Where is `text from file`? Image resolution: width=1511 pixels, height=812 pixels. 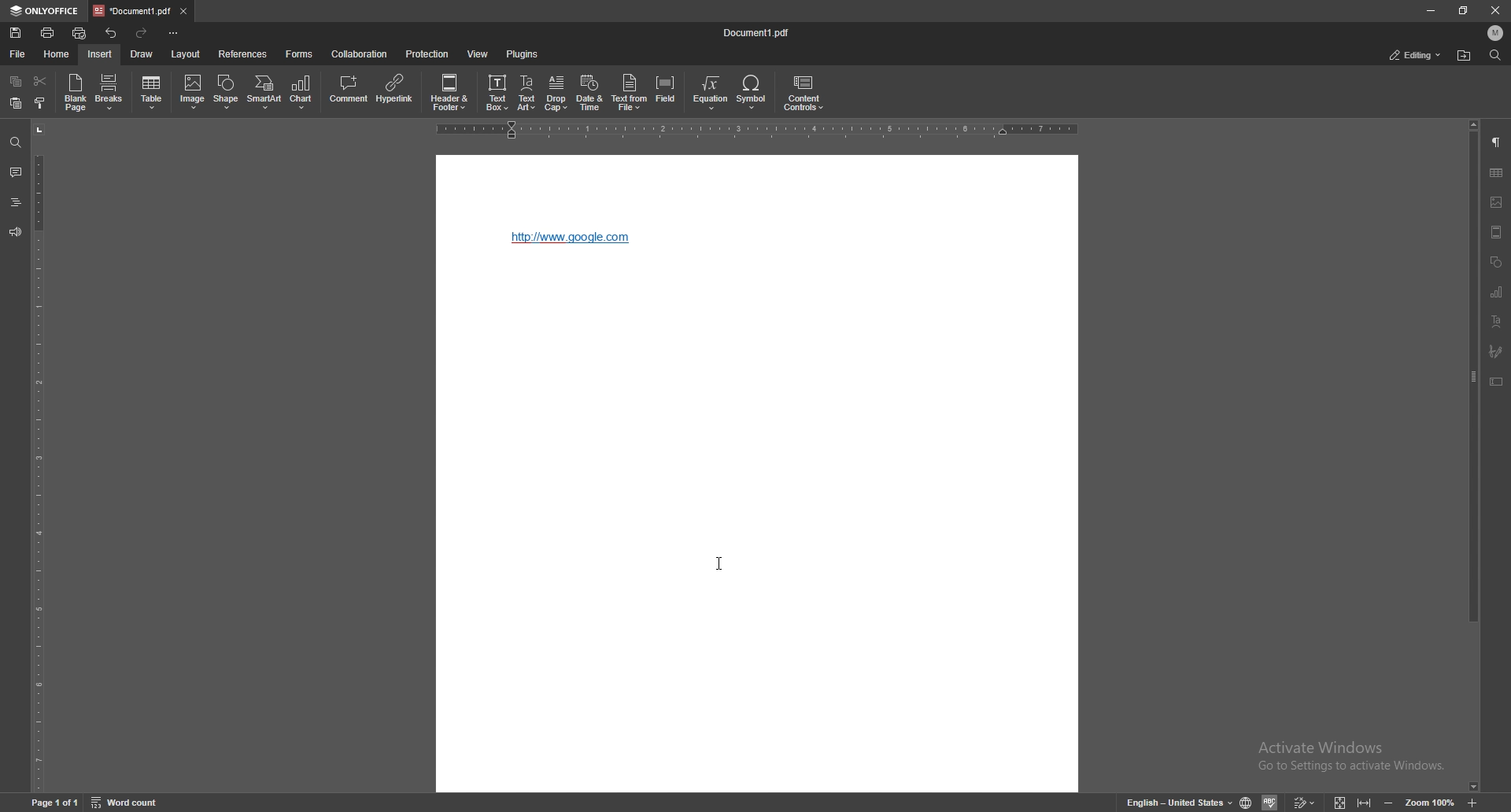
text from file is located at coordinates (630, 93).